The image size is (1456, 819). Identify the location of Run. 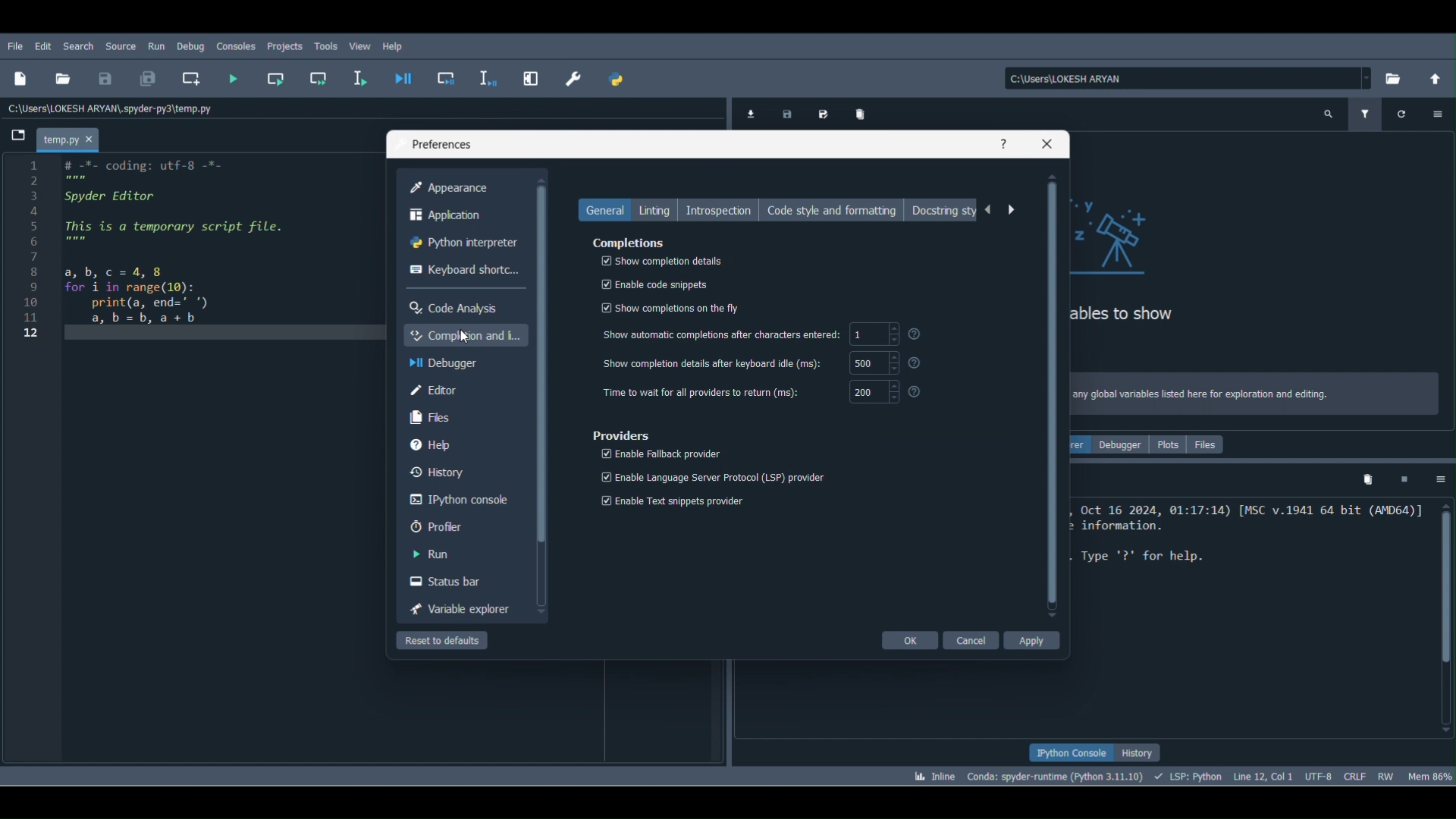
(158, 49).